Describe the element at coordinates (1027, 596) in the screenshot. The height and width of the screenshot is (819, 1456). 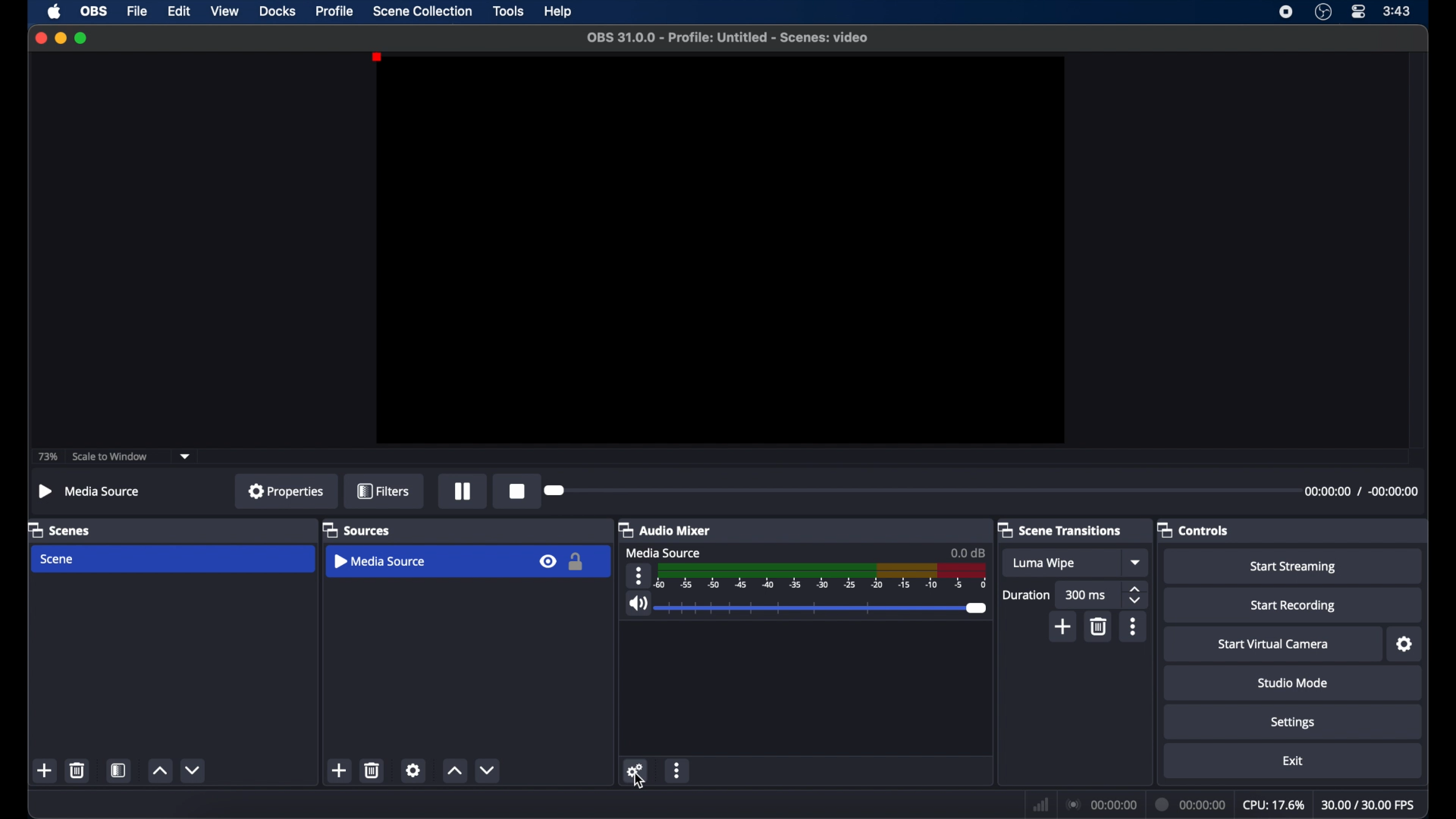
I see `duration` at that location.